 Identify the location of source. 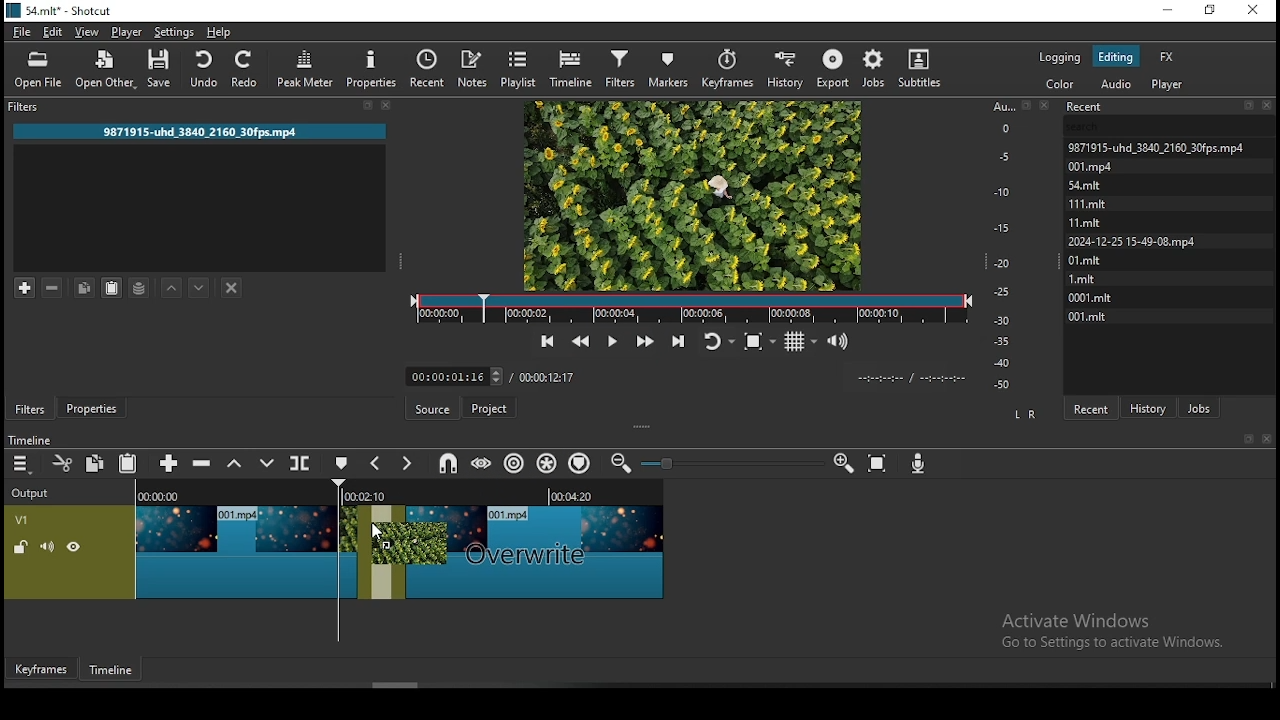
(435, 409).